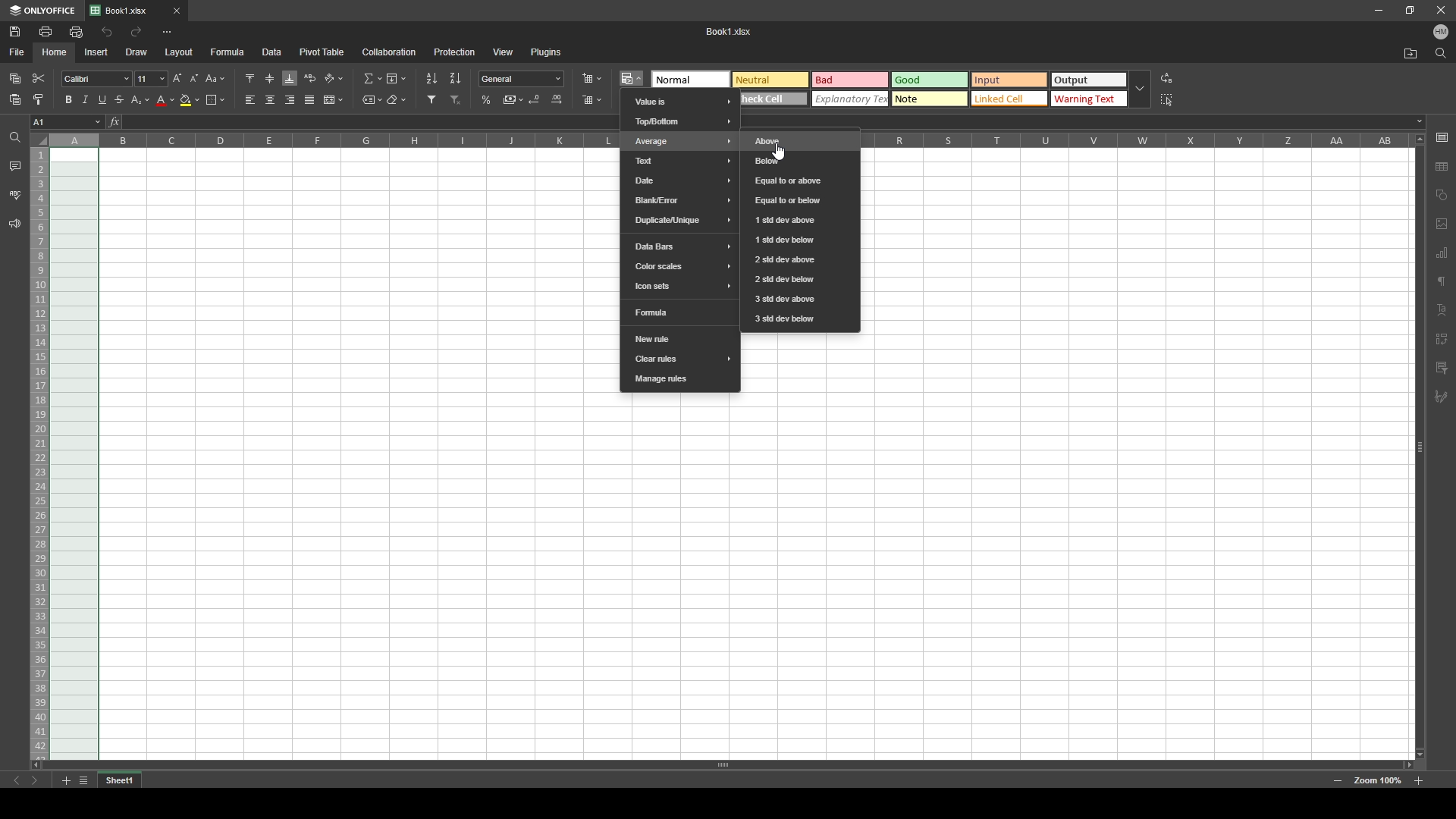 This screenshot has height=819, width=1456. What do you see at coordinates (1418, 781) in the screenshot?
I see `zoom in` at bounding box center [1418, 781].